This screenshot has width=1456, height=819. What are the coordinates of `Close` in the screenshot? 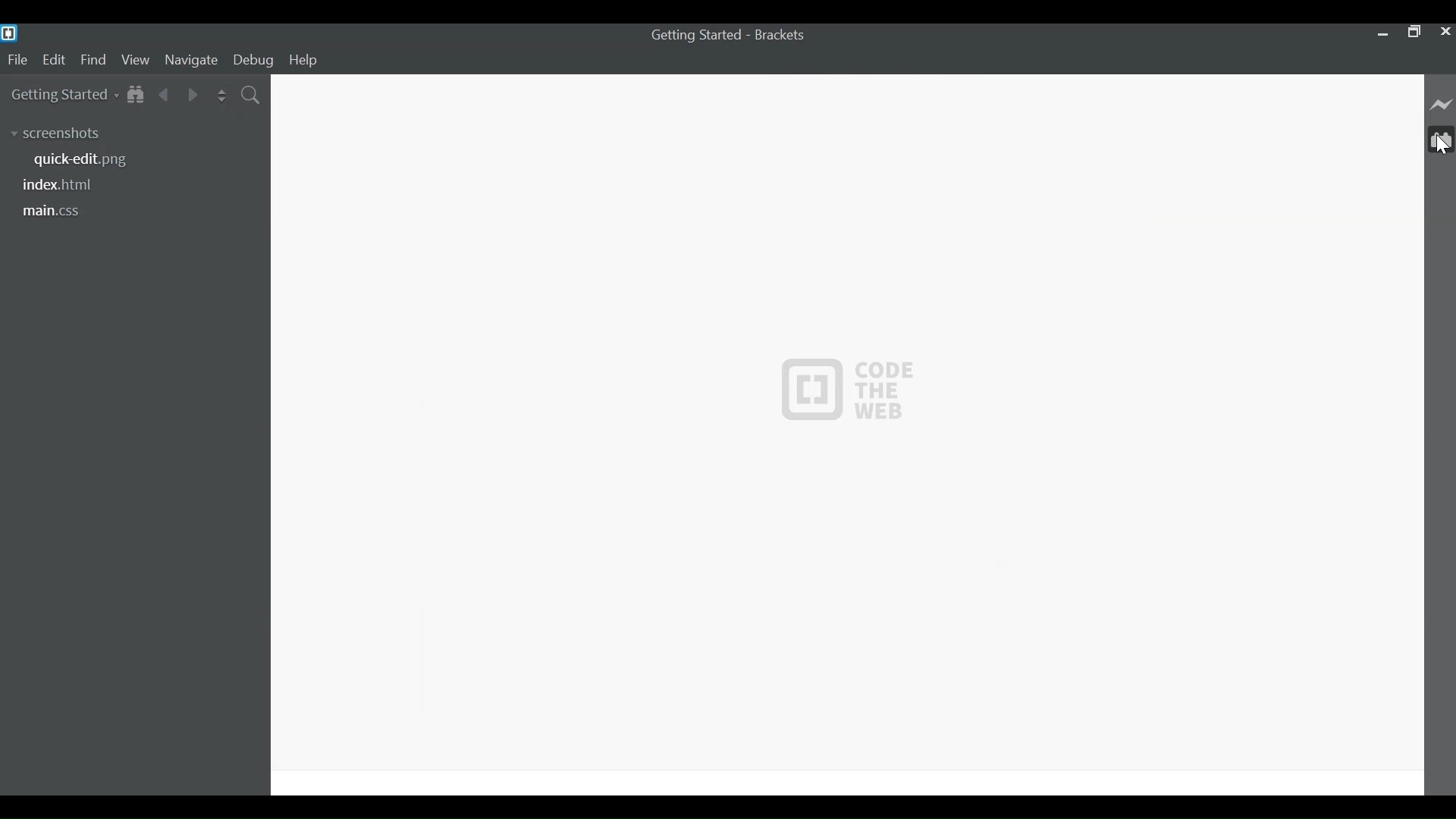 It's located at (1444, 33).